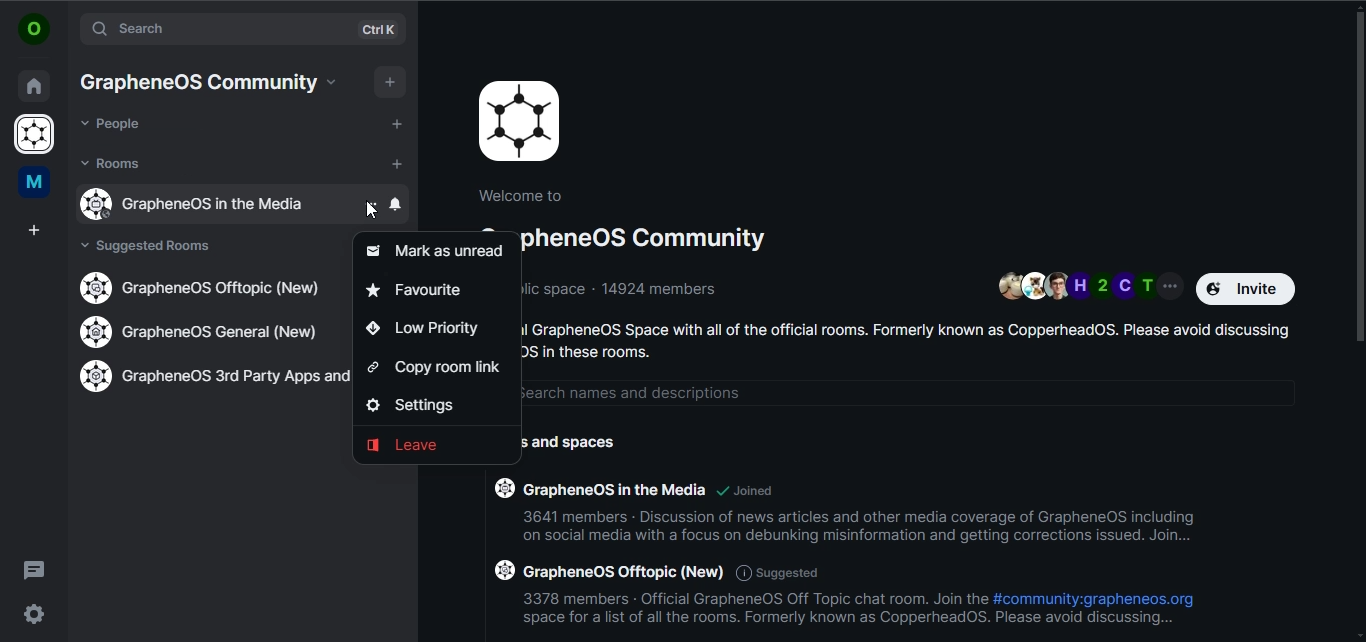 Image resolution: width=1366 pixels, height=642 pixels. Describe the element at coordinates (400, 165) in the screenshot. I see `add room` at that location.